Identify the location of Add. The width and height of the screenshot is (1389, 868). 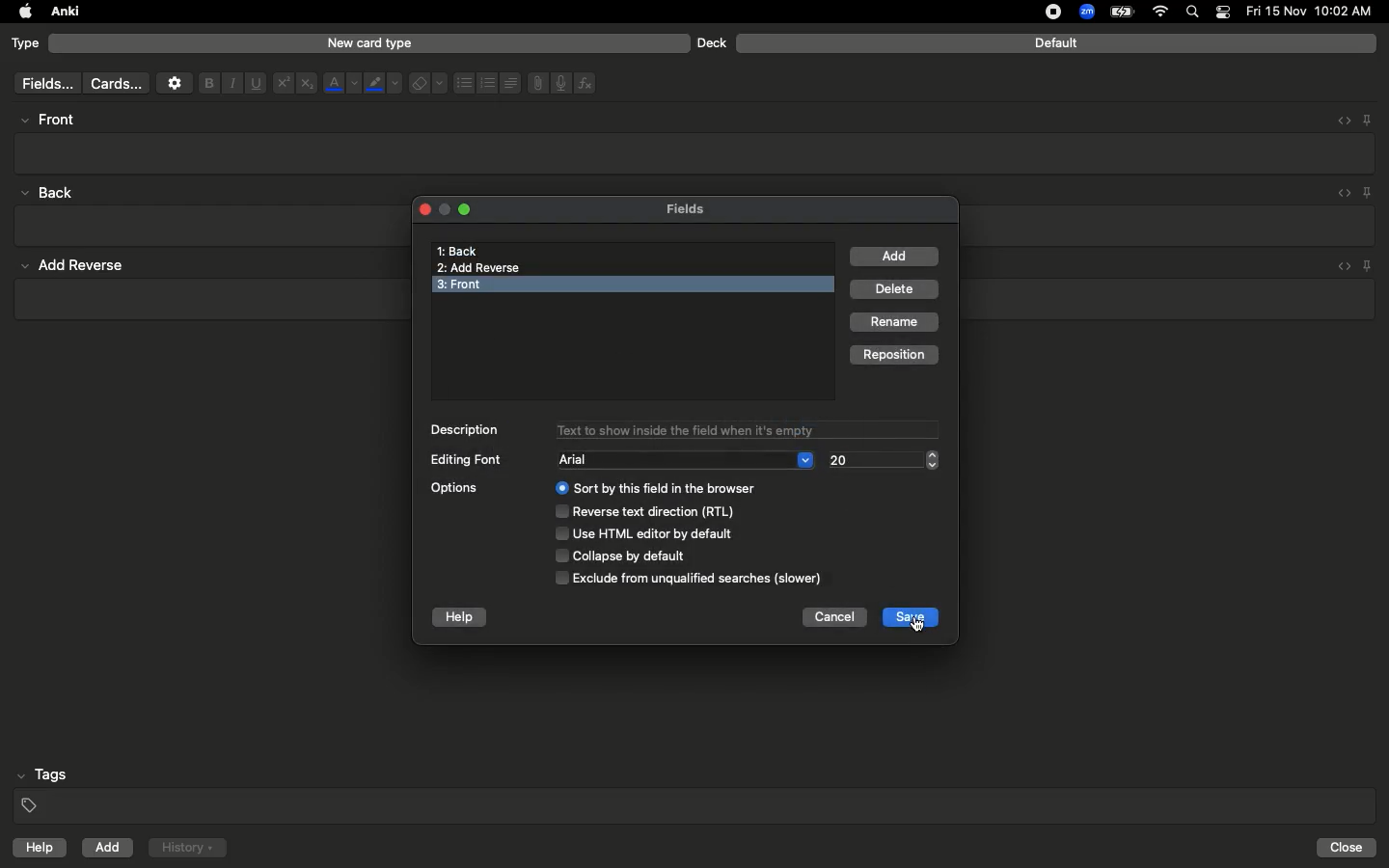
(895, 257).